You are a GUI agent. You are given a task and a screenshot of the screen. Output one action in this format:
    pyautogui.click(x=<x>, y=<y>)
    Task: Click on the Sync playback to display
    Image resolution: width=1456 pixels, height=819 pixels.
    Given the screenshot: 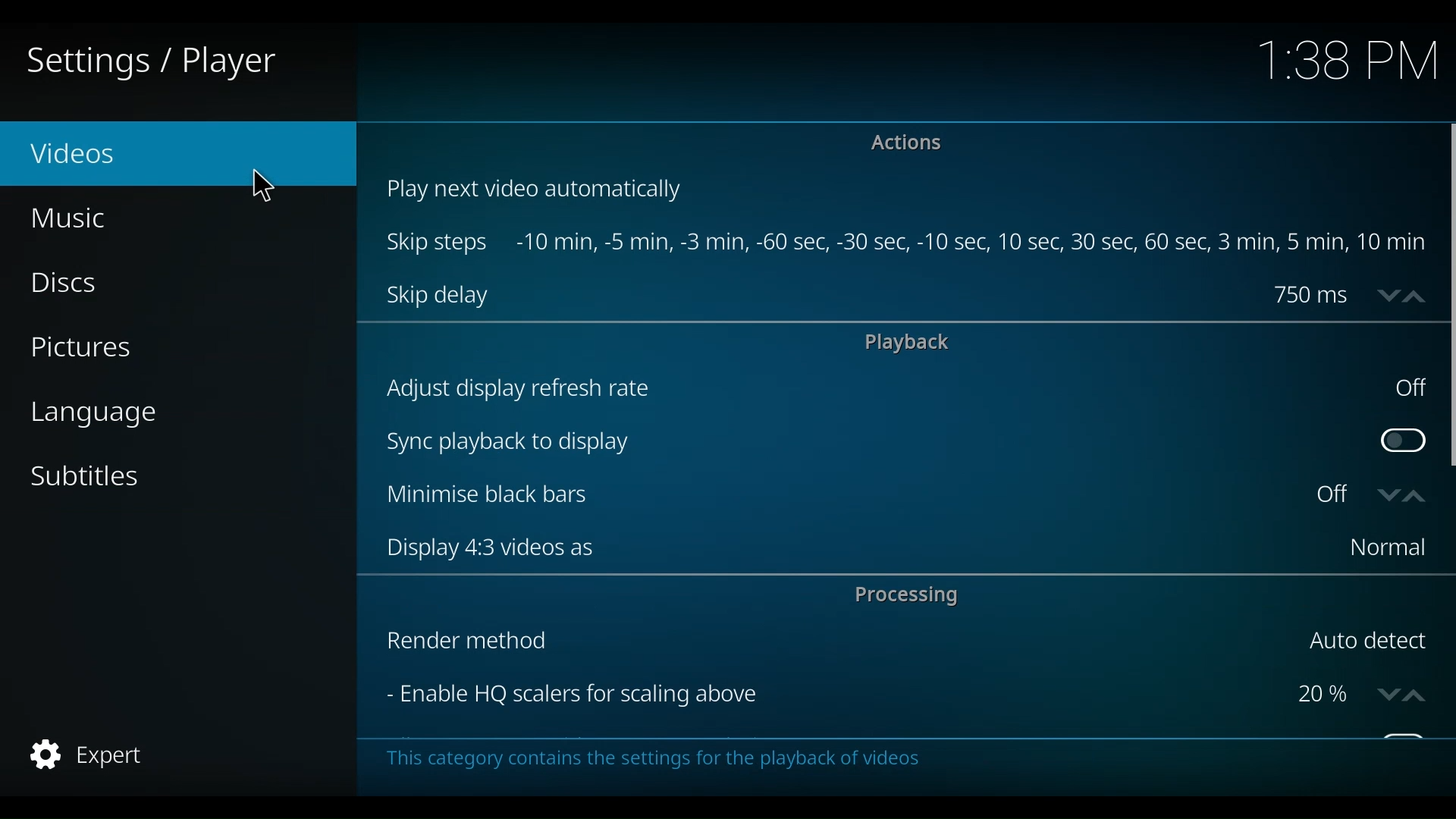 What is the action you would take?
    pyautogui.click(x=874, y=444)
    